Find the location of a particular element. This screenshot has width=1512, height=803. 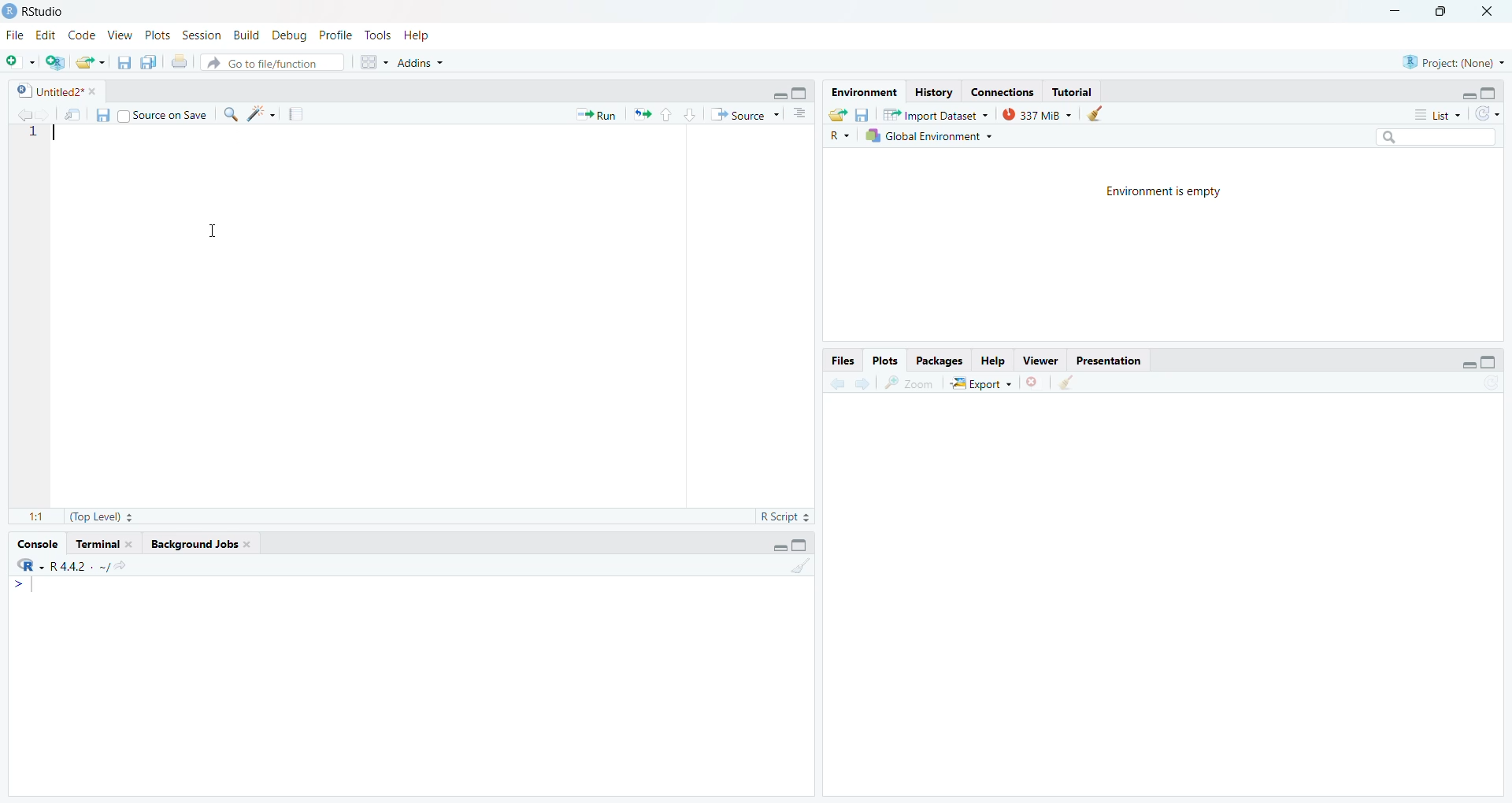

(Top Level)  is located at coordinates (98, 517).